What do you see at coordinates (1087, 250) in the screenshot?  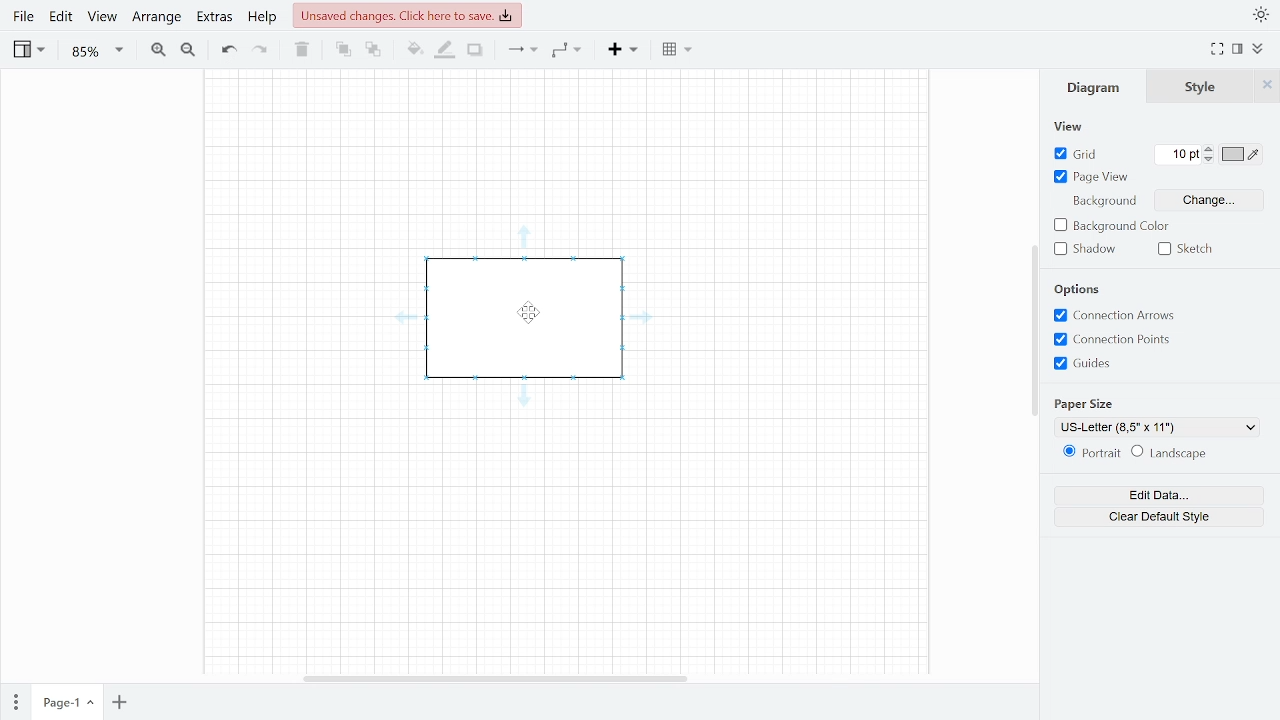 I see `Shadow` at bounding box center [1087, 250].